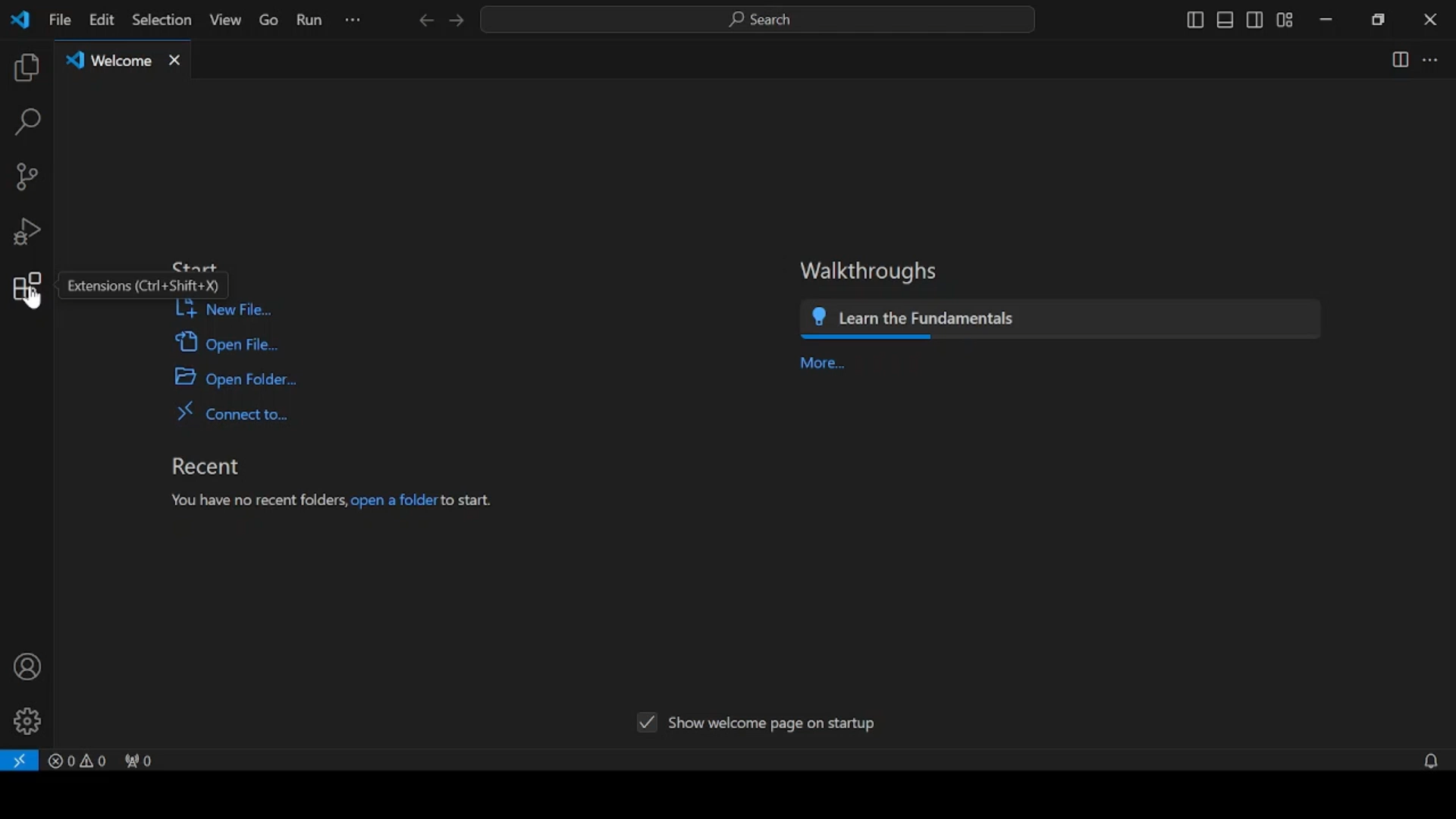 Image resolution: width=1456 pixels, height=819 pixels. I want to click on extensions(ctrl+shift+X), so click(148, 284).